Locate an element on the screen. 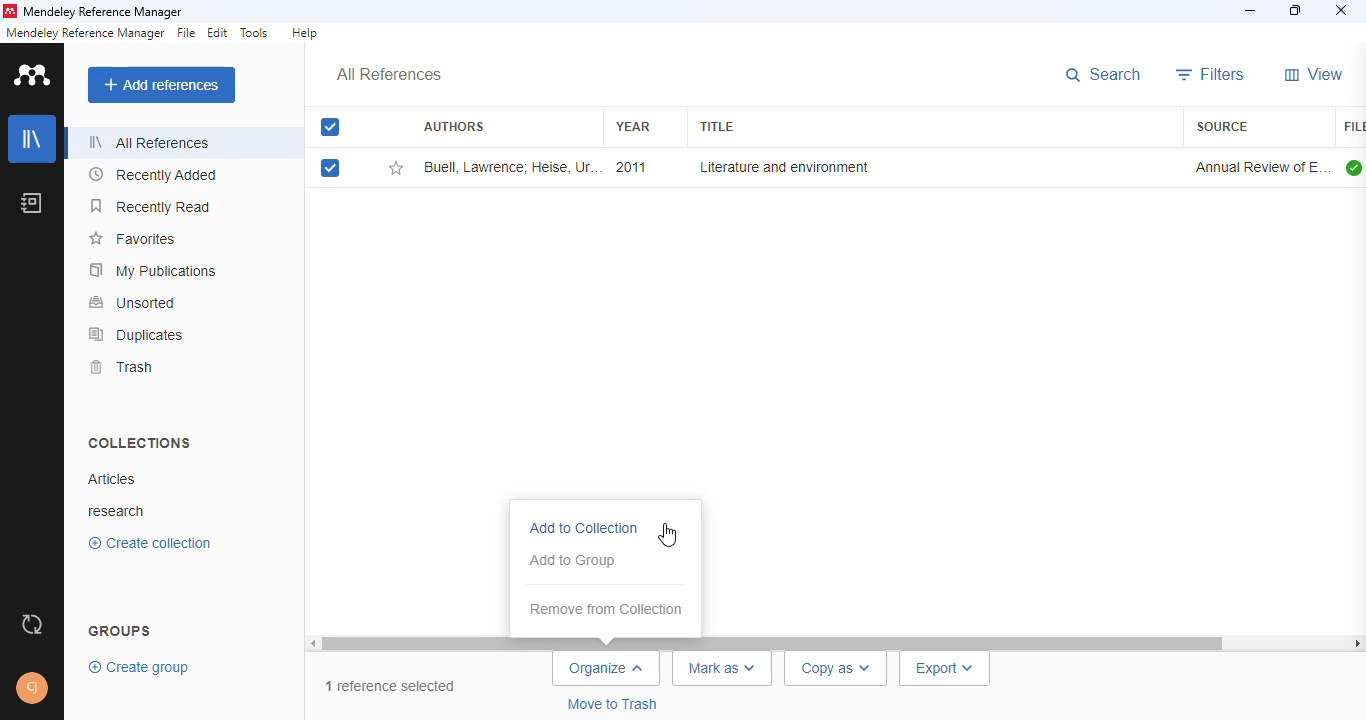 The width and height of the screenshot is (1366, 720). selected is located at coordinates (330, 168).